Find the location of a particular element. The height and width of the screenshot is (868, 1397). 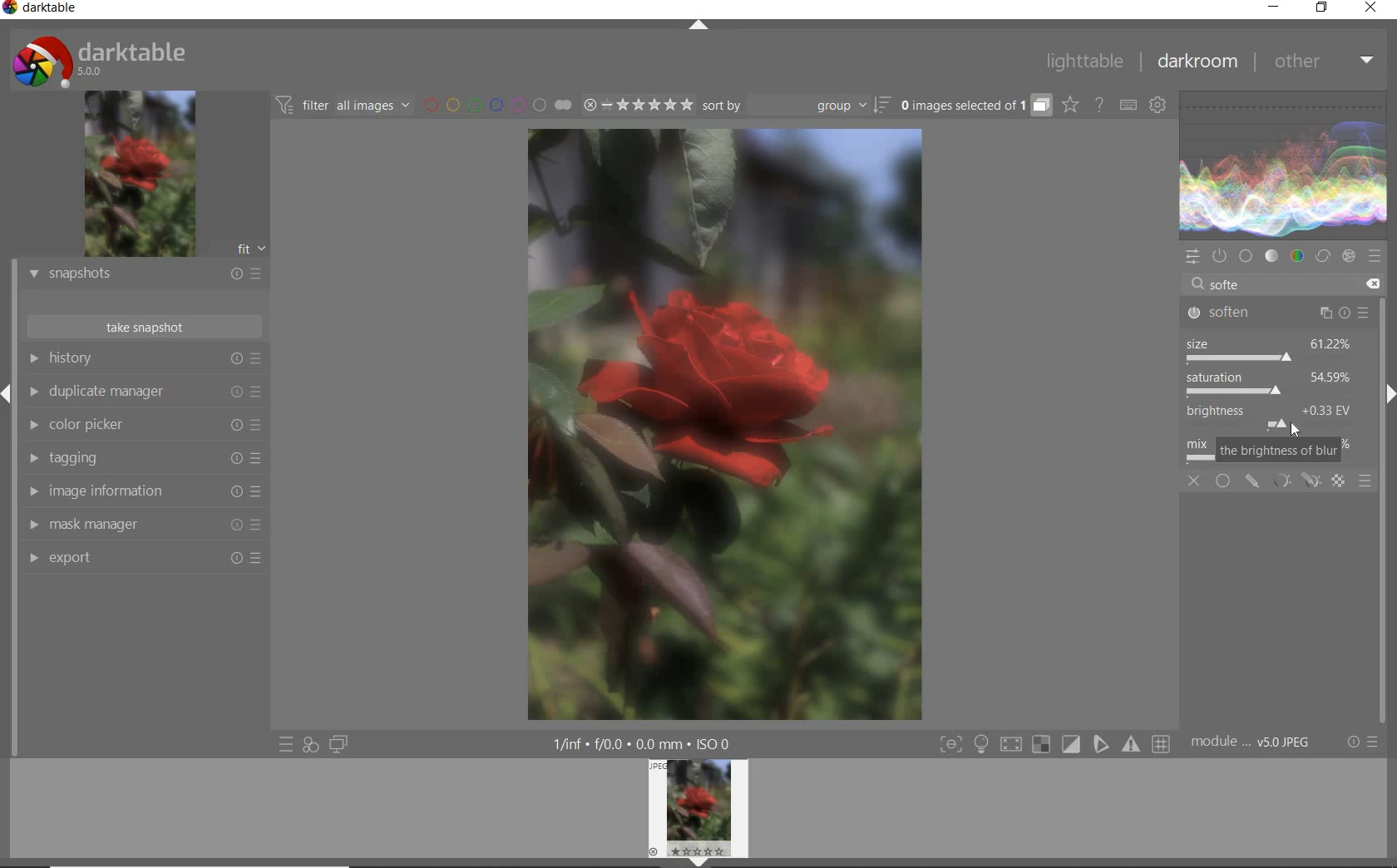

grouped images is located at coordinates (974, 106).